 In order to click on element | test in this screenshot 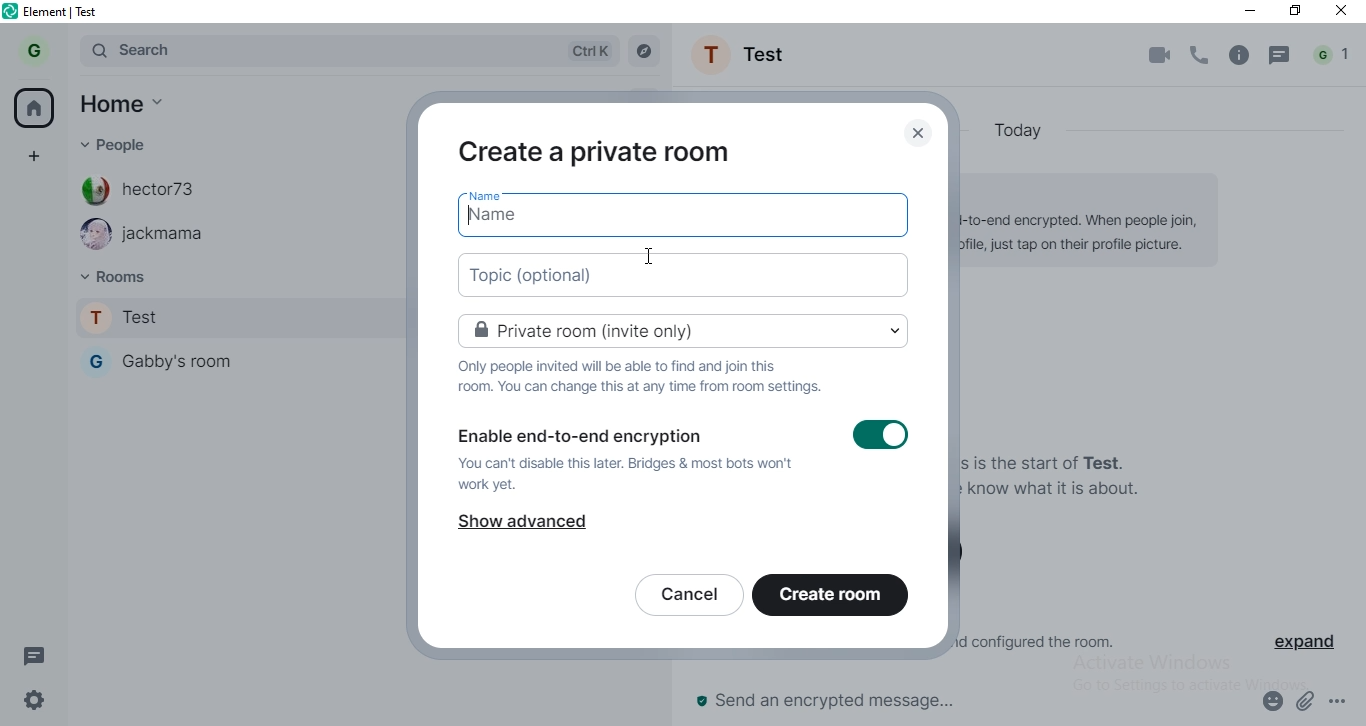, I will do `click(51, 10)`.